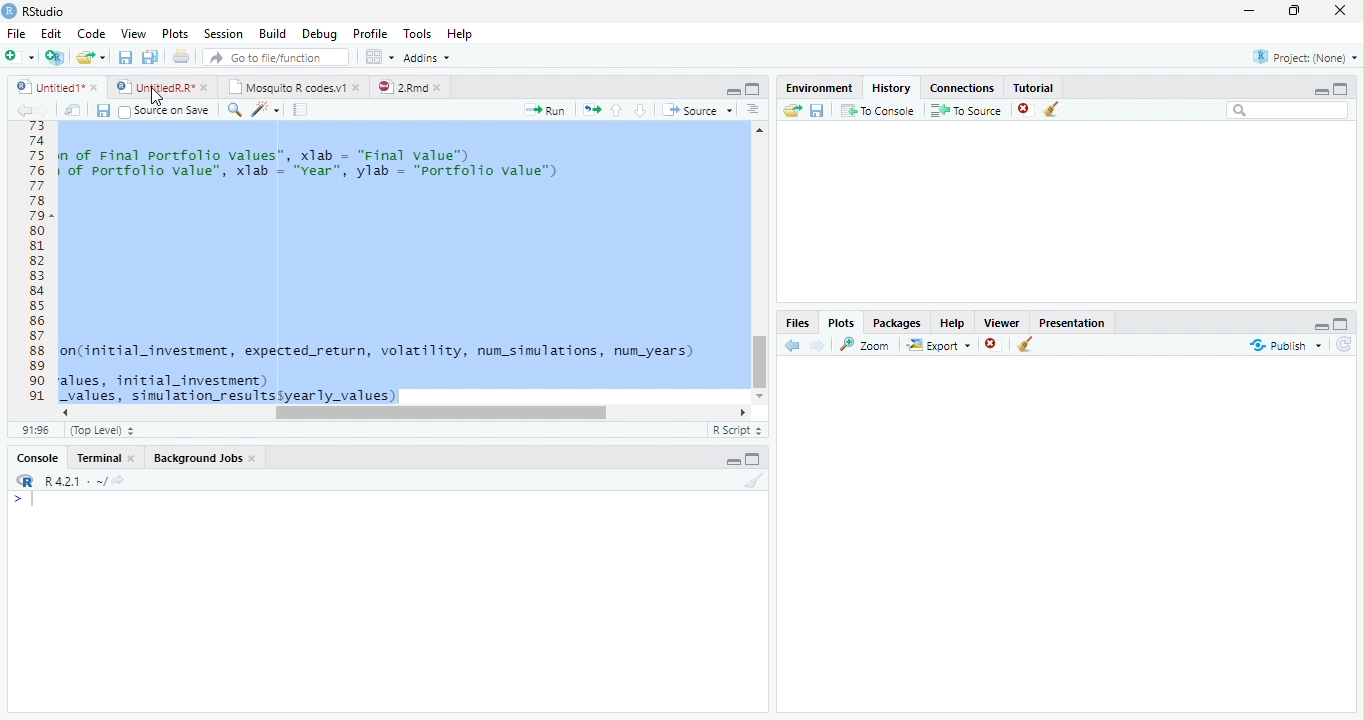  What do you see at coordinates (760, 358) in the screenshot?
I see `Scroll Bar` at bounding box center [760, 358].